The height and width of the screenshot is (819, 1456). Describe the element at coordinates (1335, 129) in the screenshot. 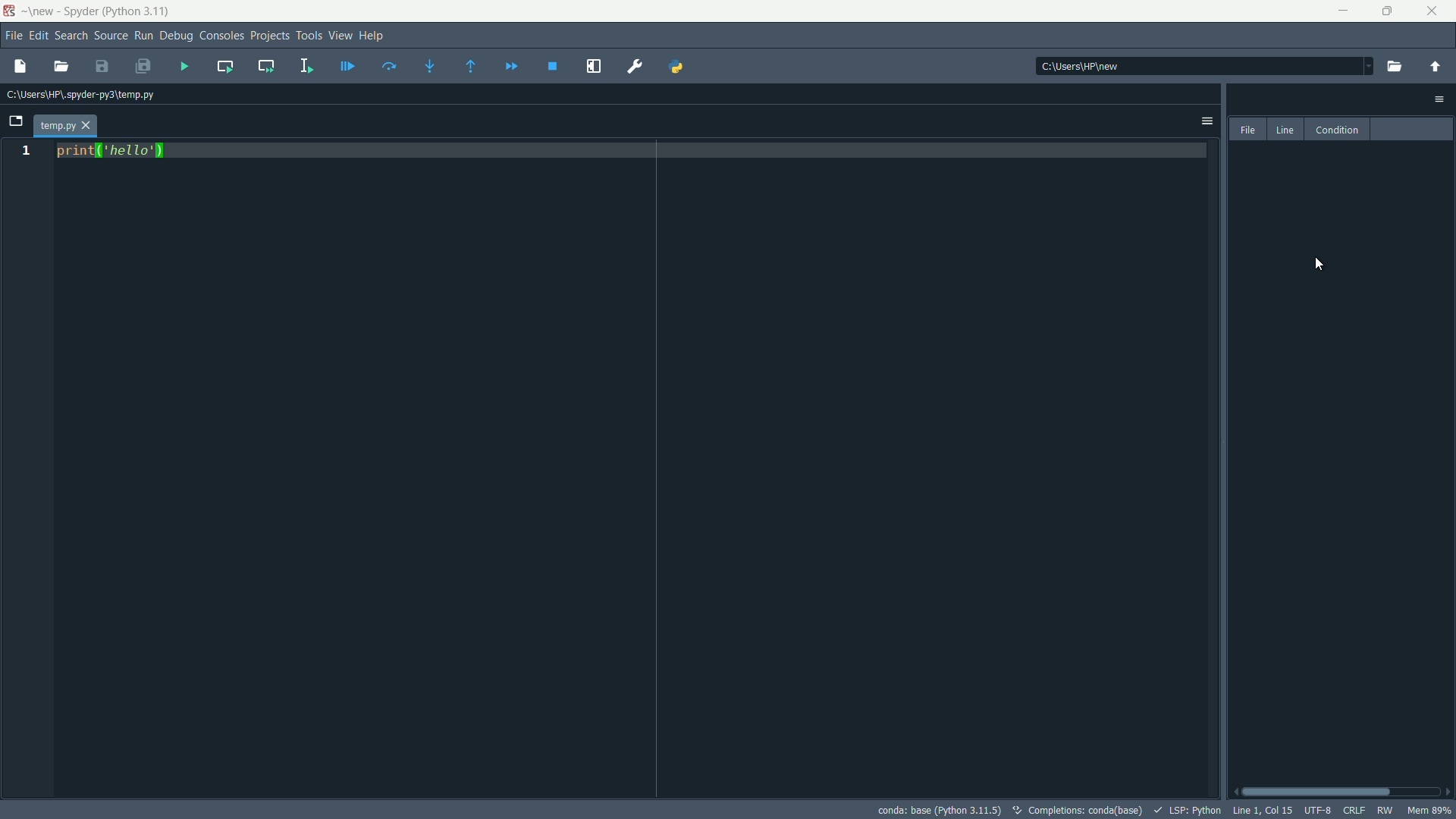

I see `condition` at that location.